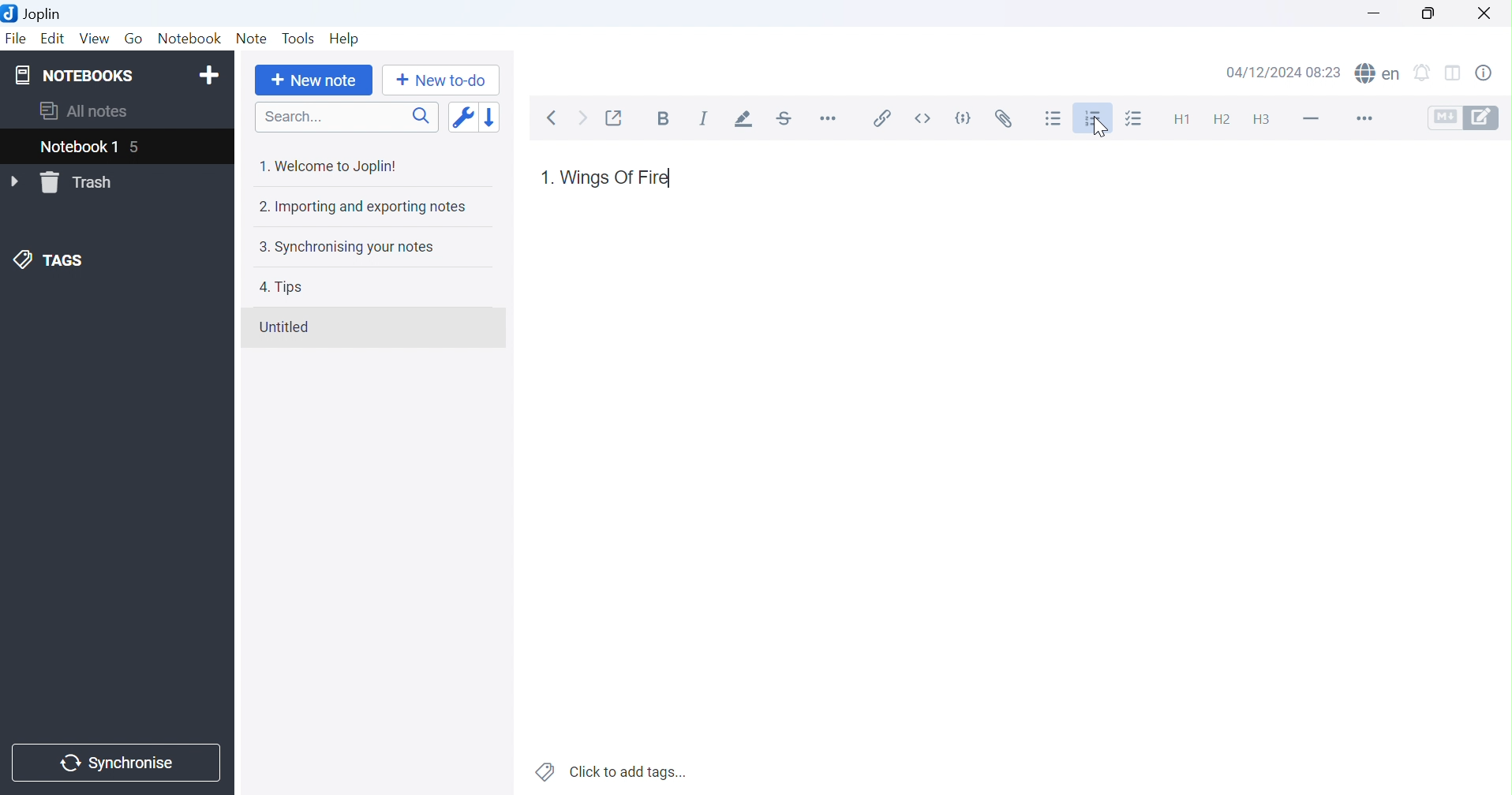 The width and height of the screenshot is (1512, 795). Describe the element at coordinates (35, 13) in the screenshot. I see `Joplin` at that location.